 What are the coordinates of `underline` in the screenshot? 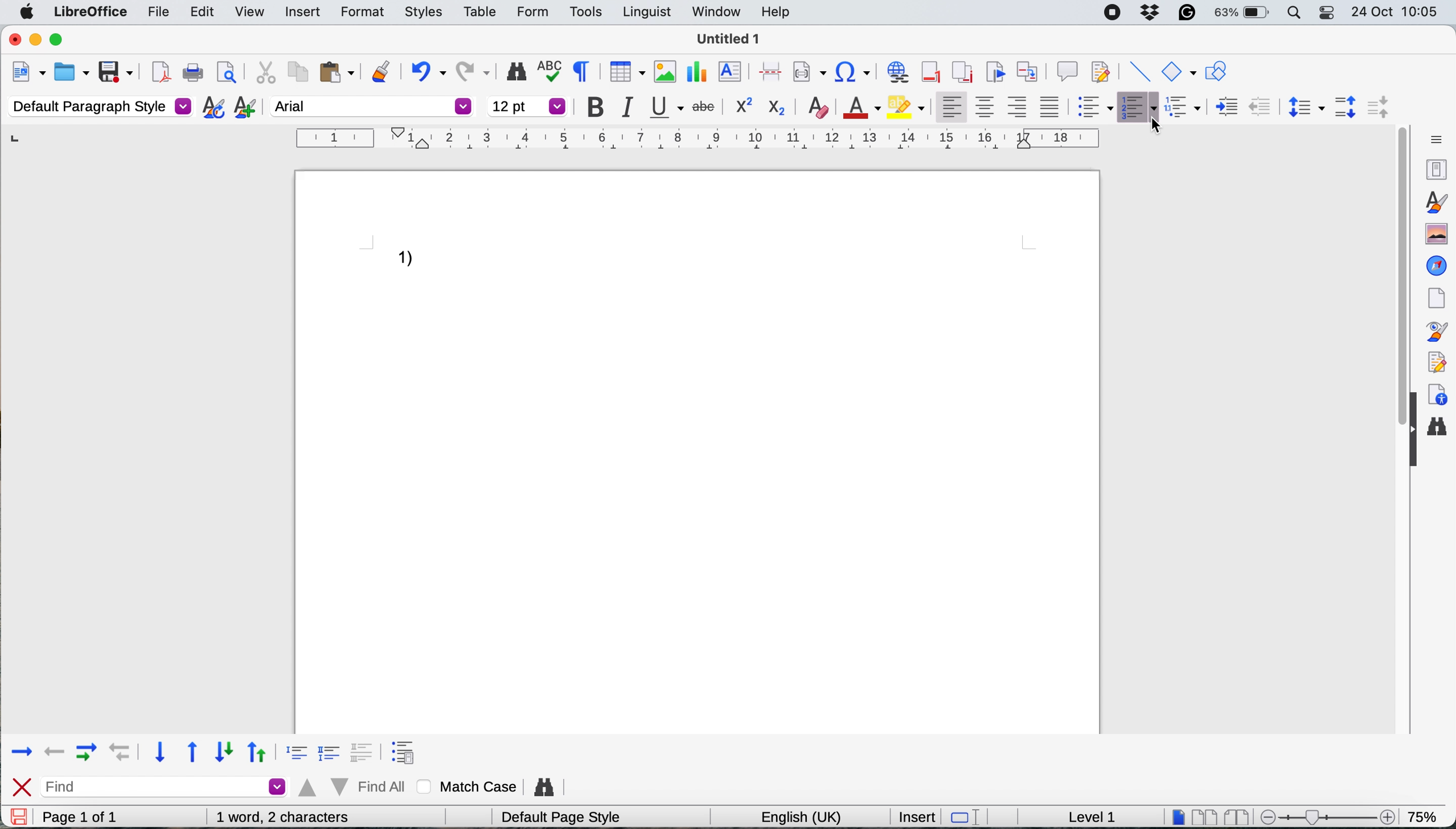 It's located at (667, 107).